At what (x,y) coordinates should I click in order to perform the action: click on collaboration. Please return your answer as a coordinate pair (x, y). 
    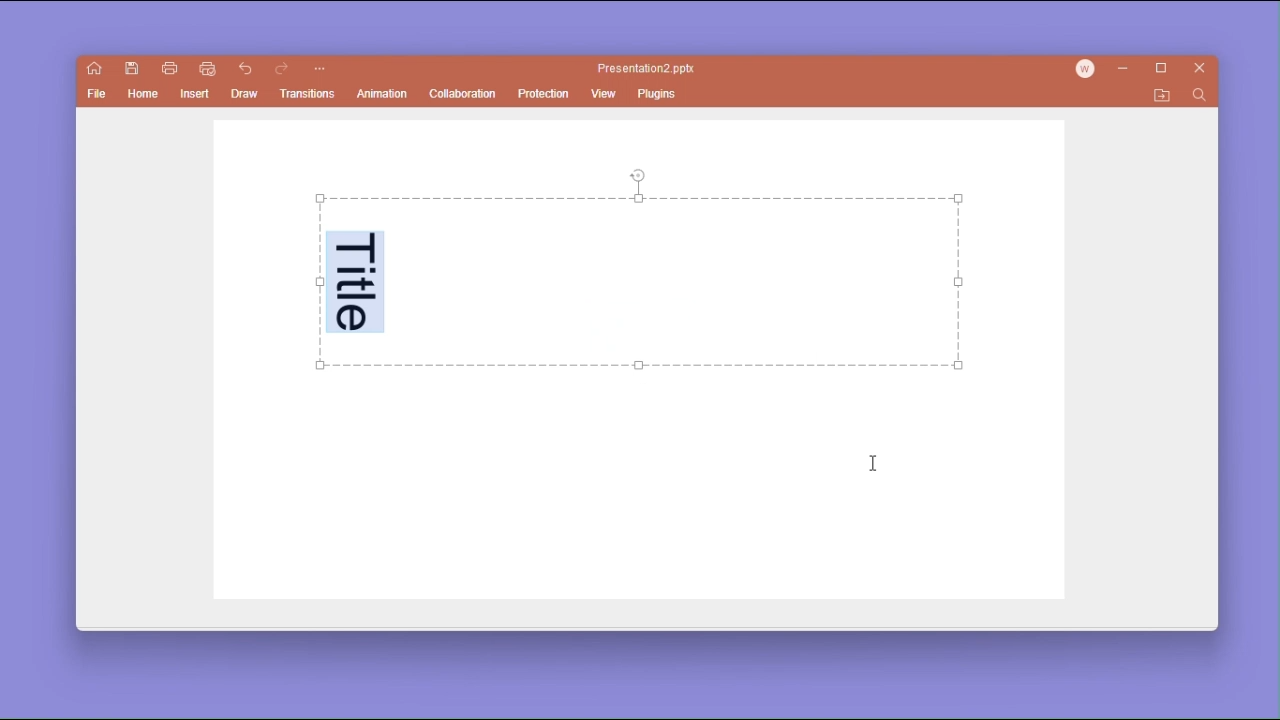
    Looking at the image, I should click on (462, 93).